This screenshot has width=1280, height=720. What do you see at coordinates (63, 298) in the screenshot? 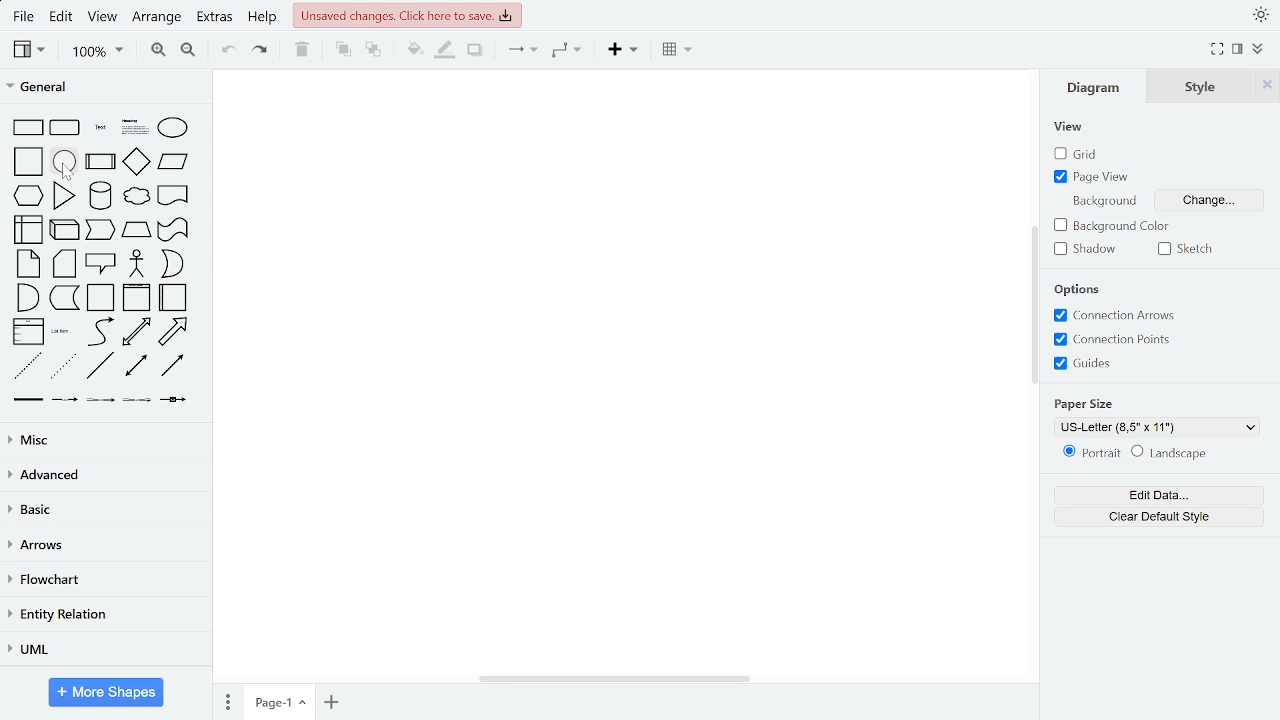
I see `data storage` at bounding box center [63, 298].